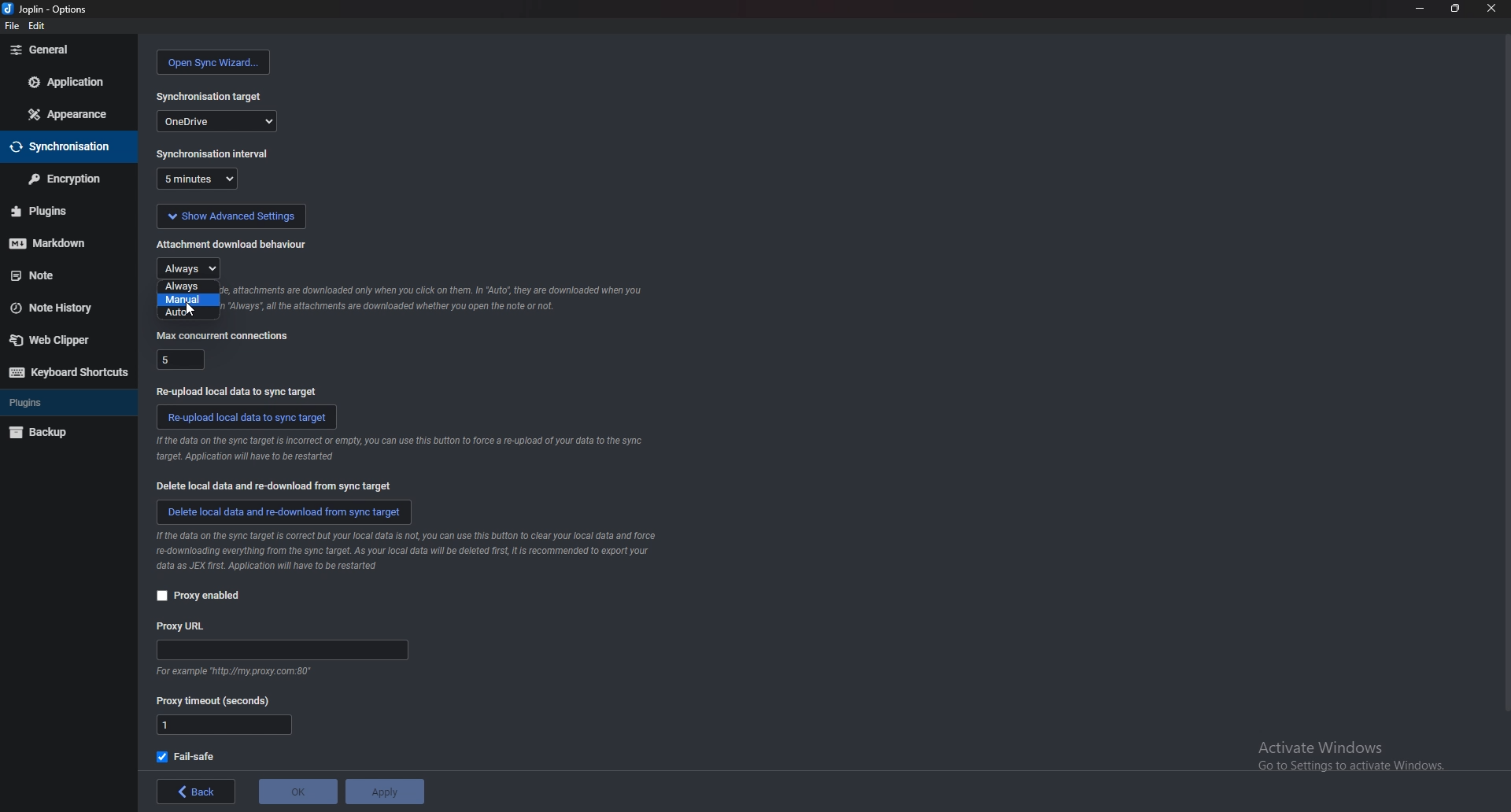 The width and height of the screenshot is (1511, 812). Describe the element at coordinates (231, 673) in the screenshot. I see `info` at that location.